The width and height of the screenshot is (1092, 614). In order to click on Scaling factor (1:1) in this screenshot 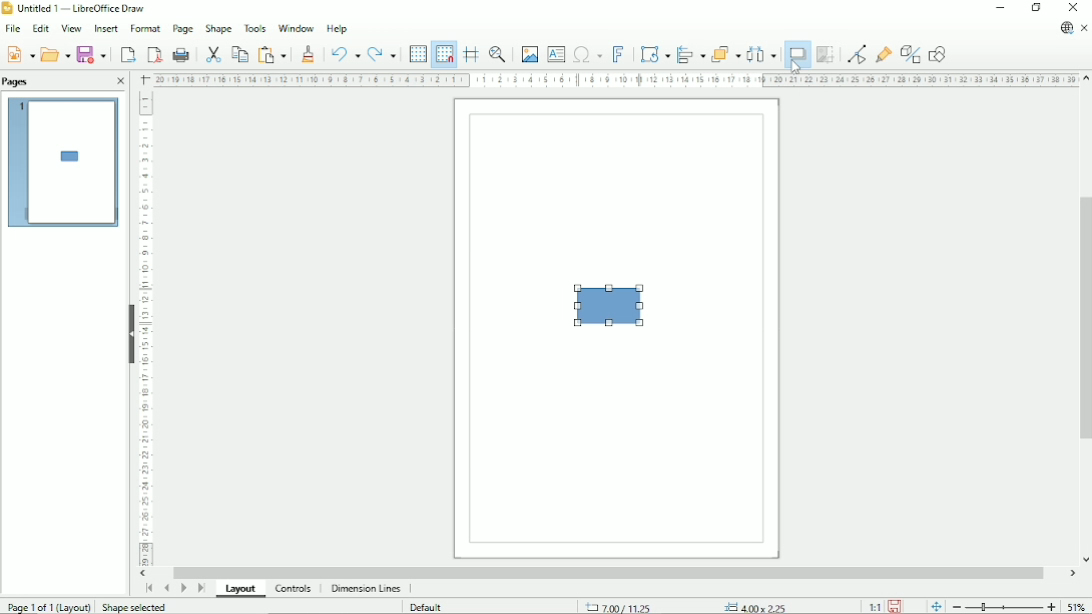, I will do `click(870, 606)`.